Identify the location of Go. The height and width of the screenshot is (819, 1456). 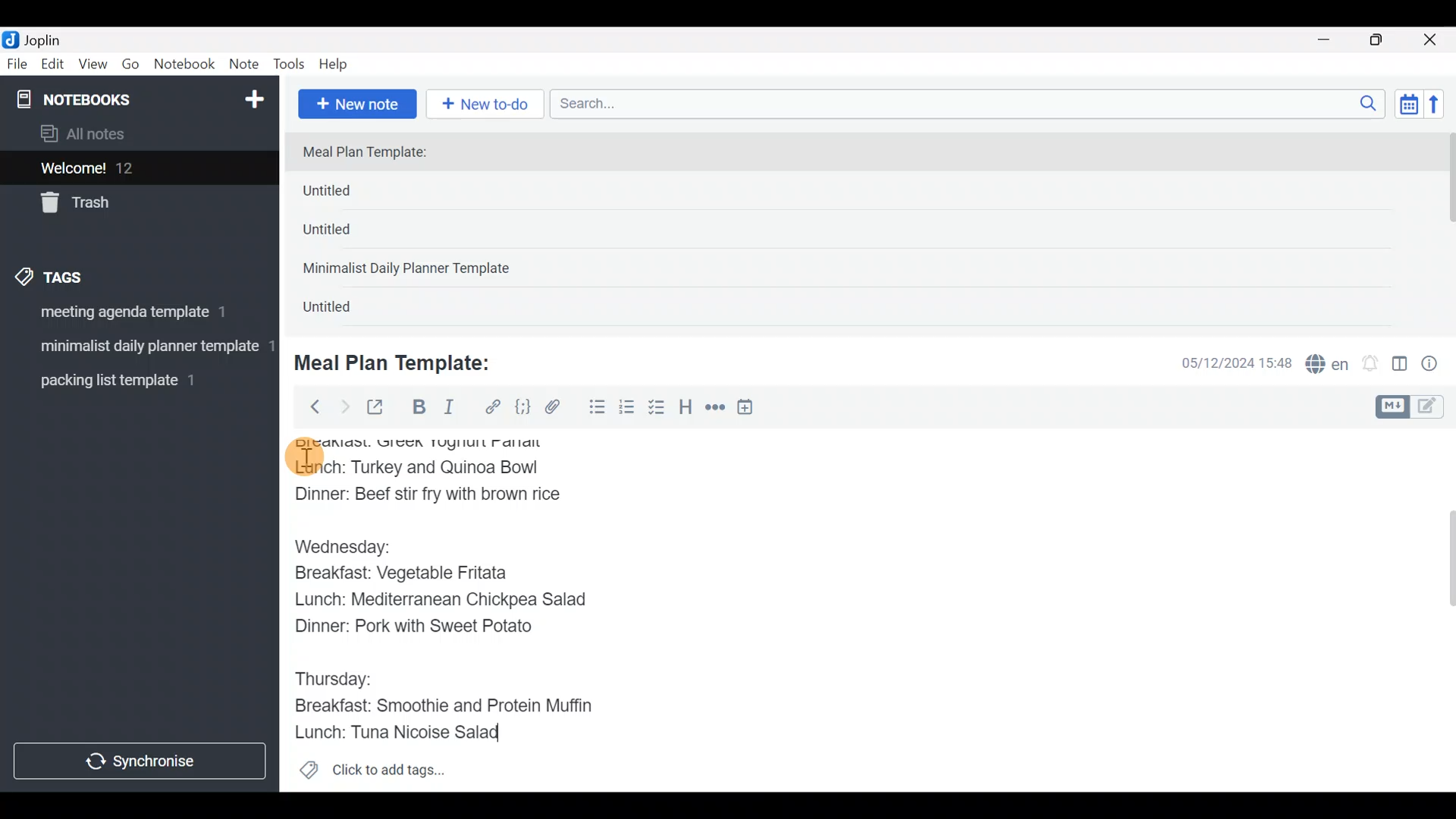
(130, 67).